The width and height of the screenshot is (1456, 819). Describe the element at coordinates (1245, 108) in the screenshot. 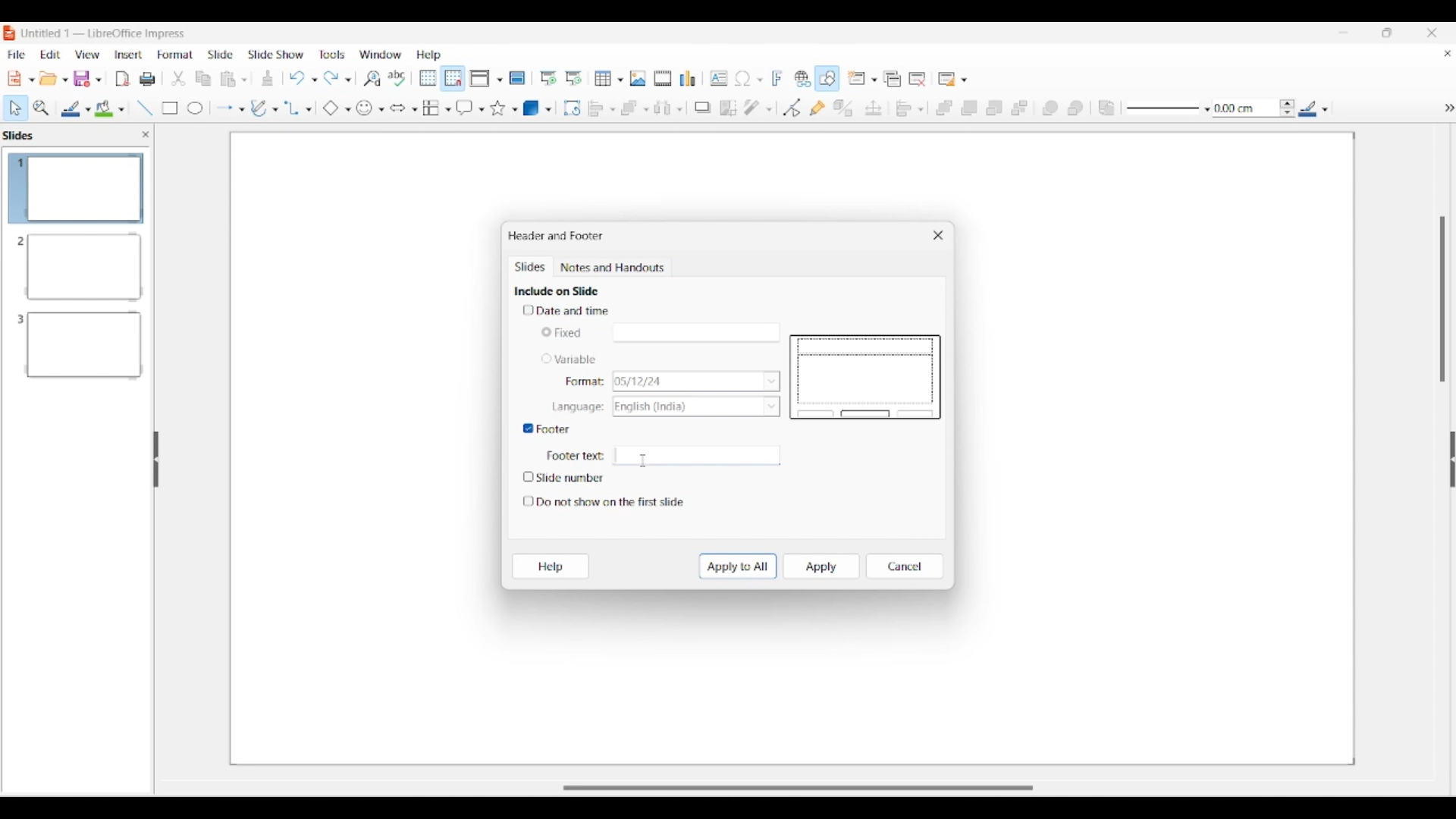

I see `Input line thickness` at that location.